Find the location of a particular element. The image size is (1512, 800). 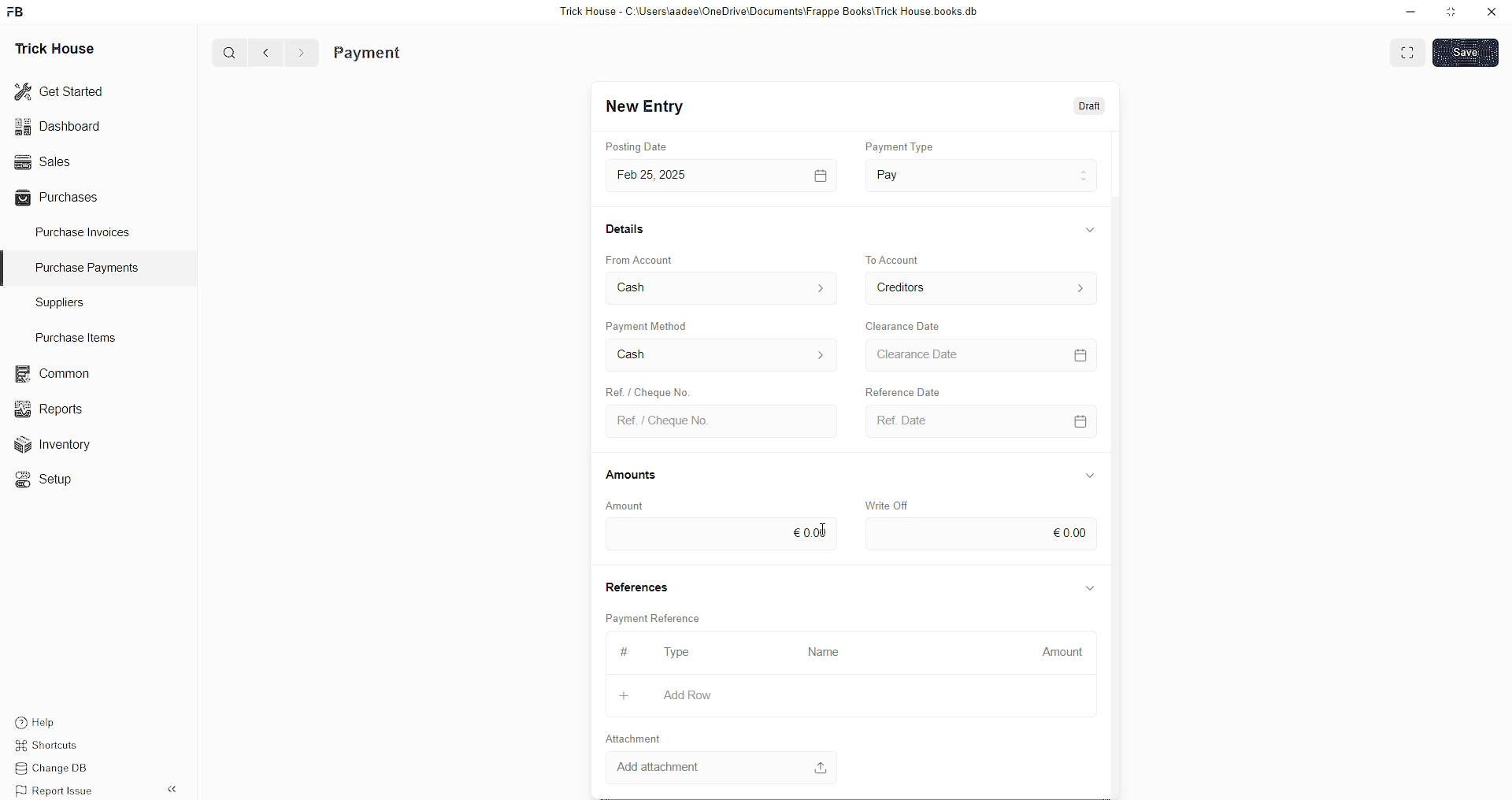

Posting Date is located at coordinates (630, 146).